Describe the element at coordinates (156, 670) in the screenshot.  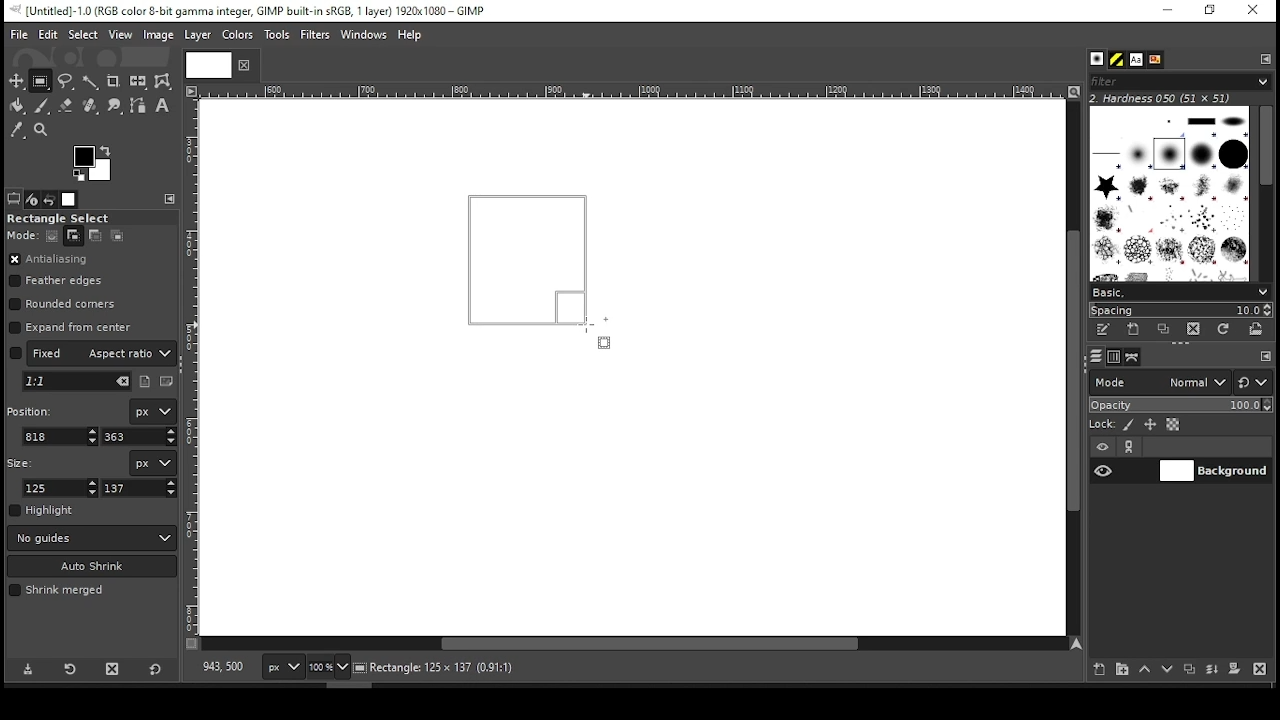
I see `reset to defaults` at that location.